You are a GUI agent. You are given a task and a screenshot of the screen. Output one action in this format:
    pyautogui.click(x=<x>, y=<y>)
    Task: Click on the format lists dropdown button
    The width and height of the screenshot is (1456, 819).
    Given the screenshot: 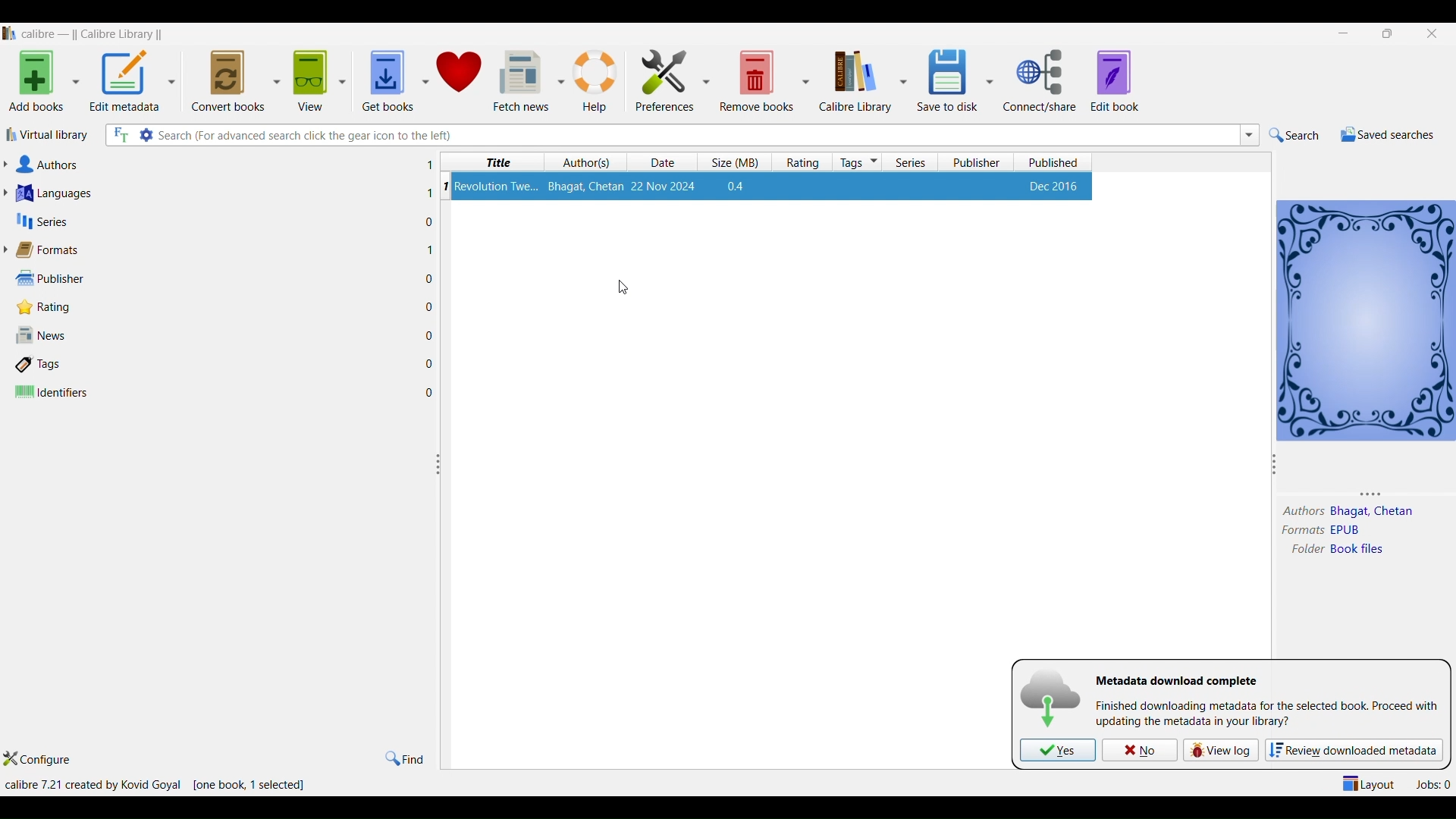 What is the action you would take?
    pyautogui.click(x=9, y=249)
    